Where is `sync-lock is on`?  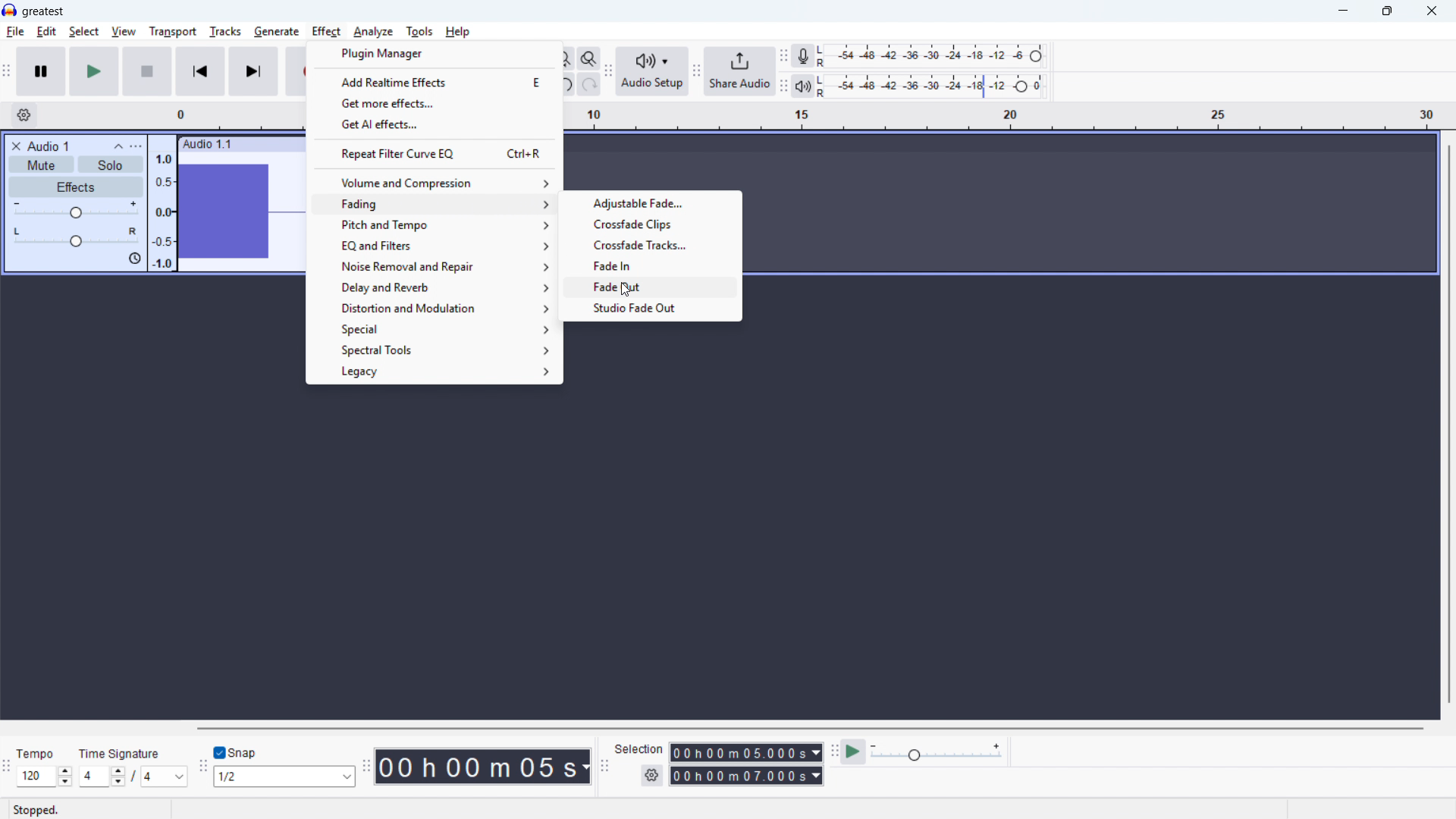
sync-lock is on is located at coordinates (134, 259).